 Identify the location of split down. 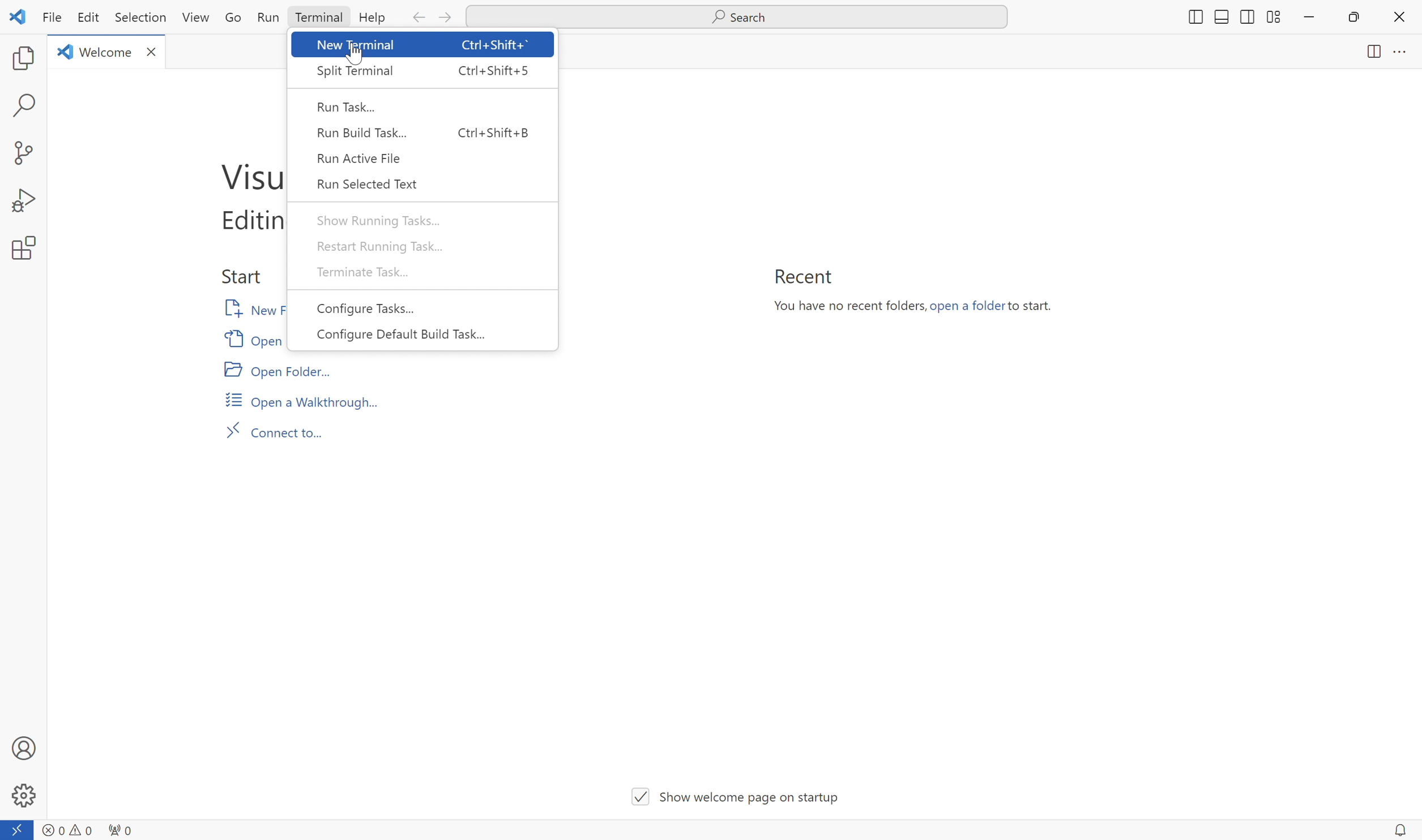
(1221, 19).